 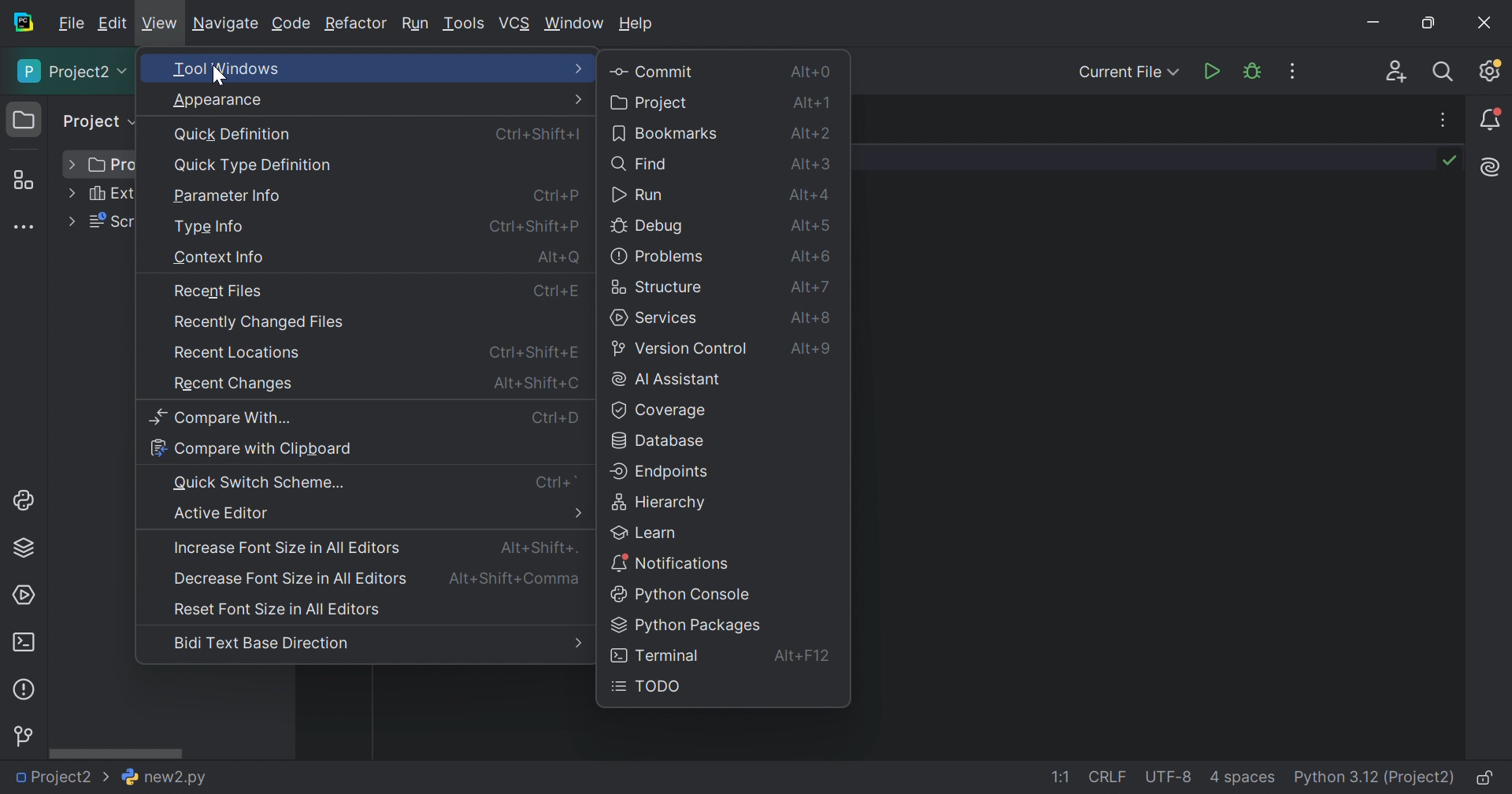 I want to click on Ctrl+`, so click(x=562, y=481).